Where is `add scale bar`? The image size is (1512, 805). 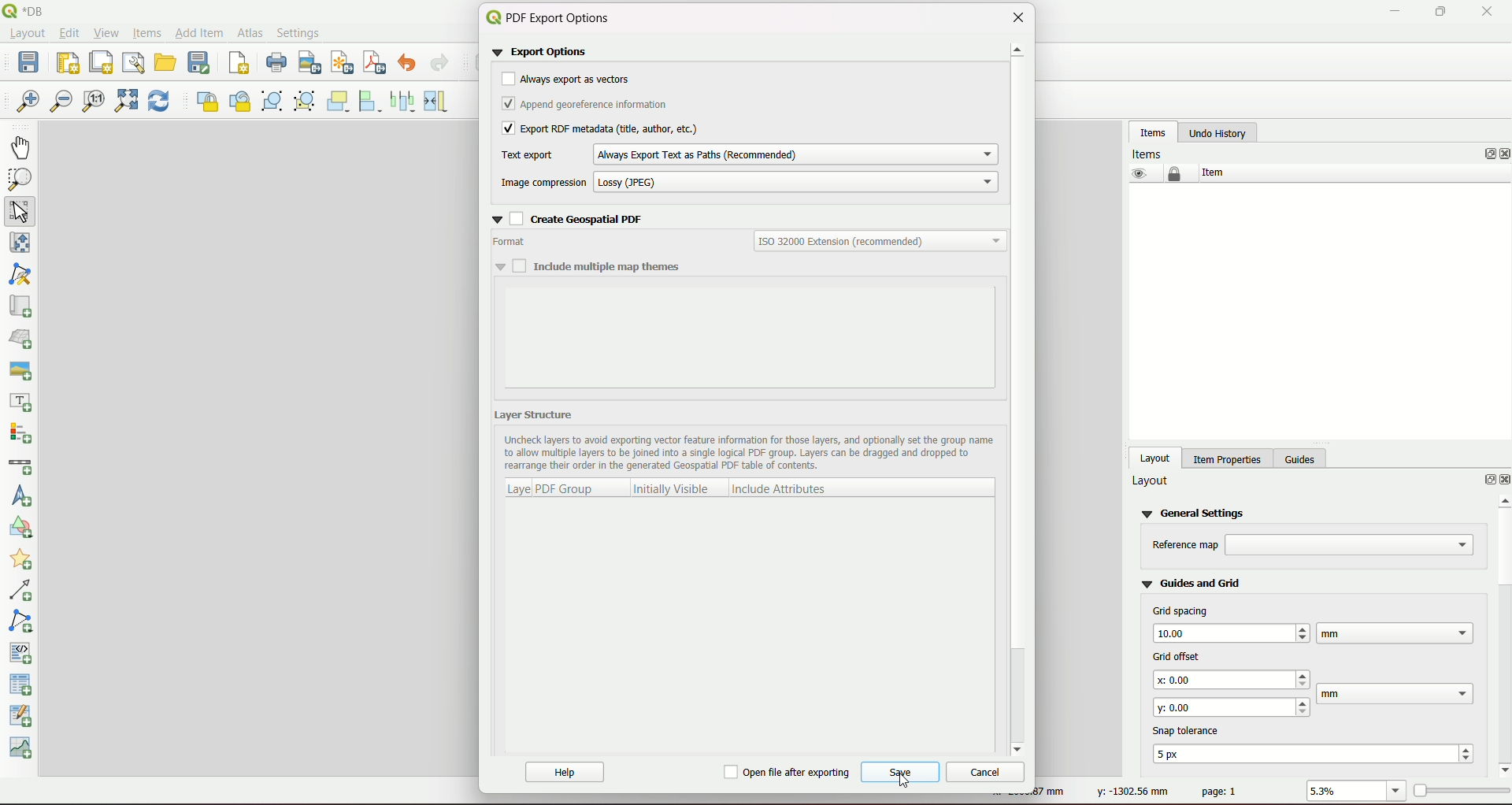 add scale bar is located at coordinates (20, 466).